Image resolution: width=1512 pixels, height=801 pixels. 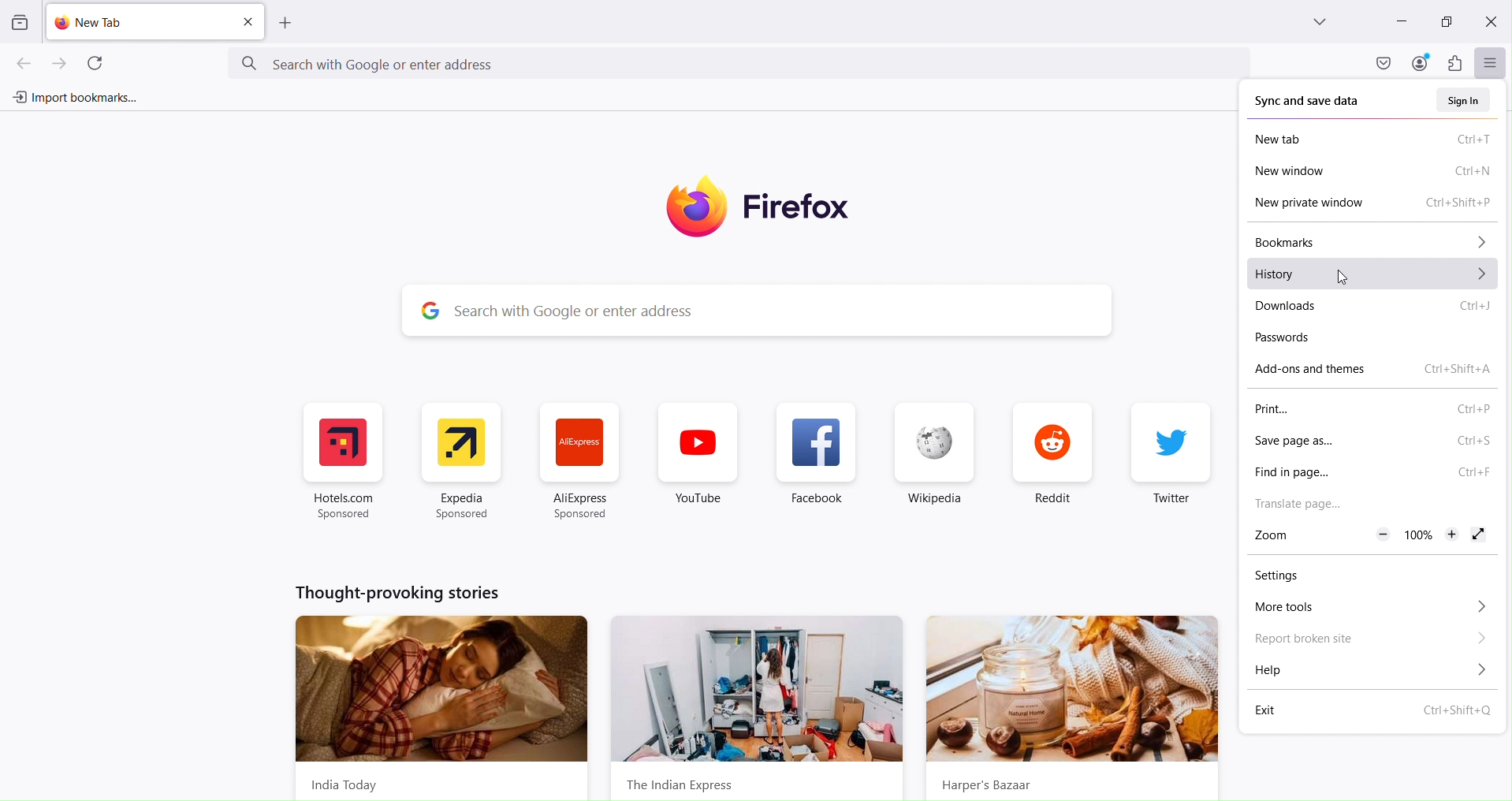 What do you see at coordinates (1050, 462) in the screenshot?
I see `Reddit Shortcut` at bounding box center [1050, 462].